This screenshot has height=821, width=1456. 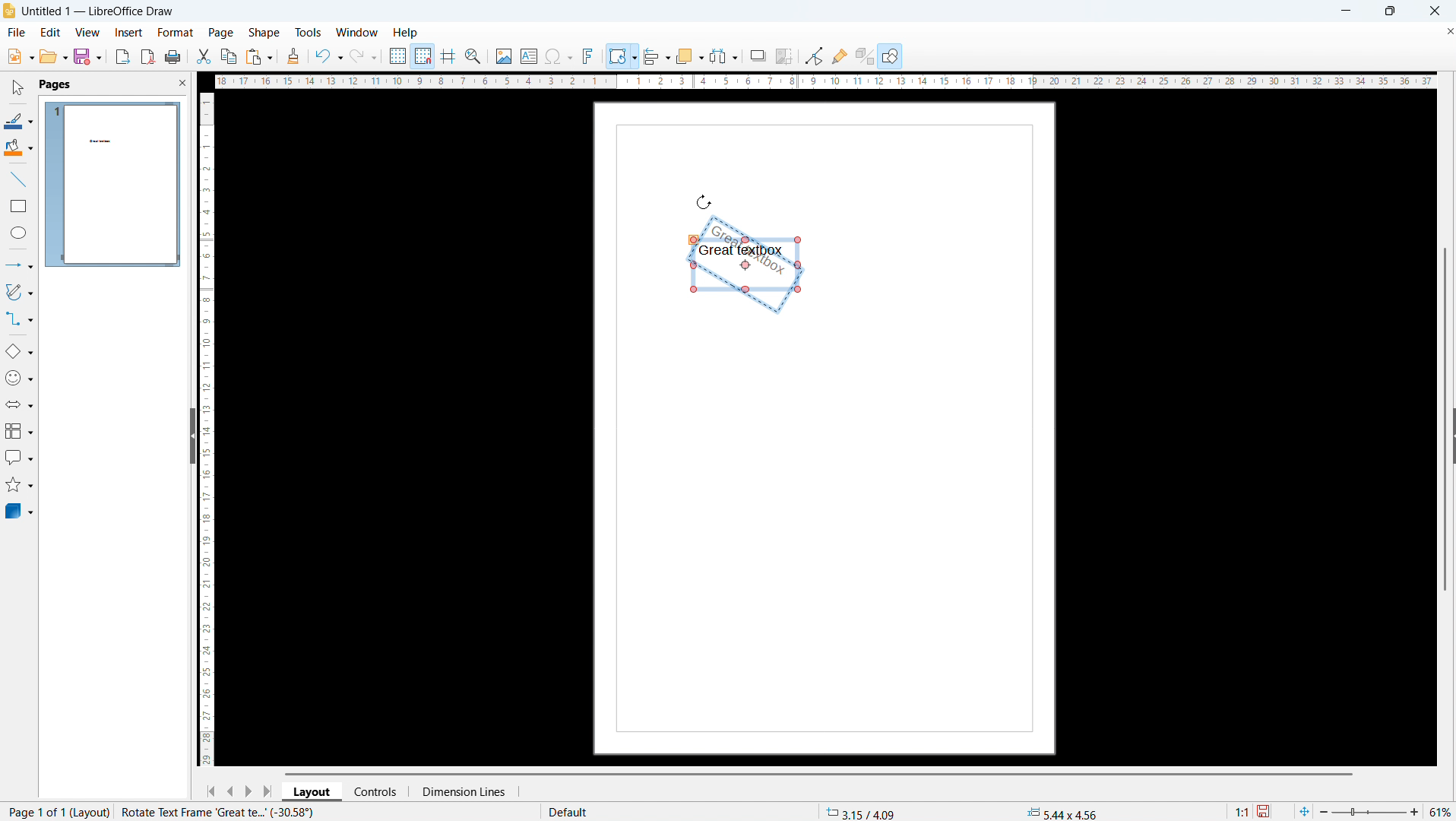 What do you see at coordinates (191, 436) in the screenshot?
I see `hide pane` at bounding box center [191, 436].